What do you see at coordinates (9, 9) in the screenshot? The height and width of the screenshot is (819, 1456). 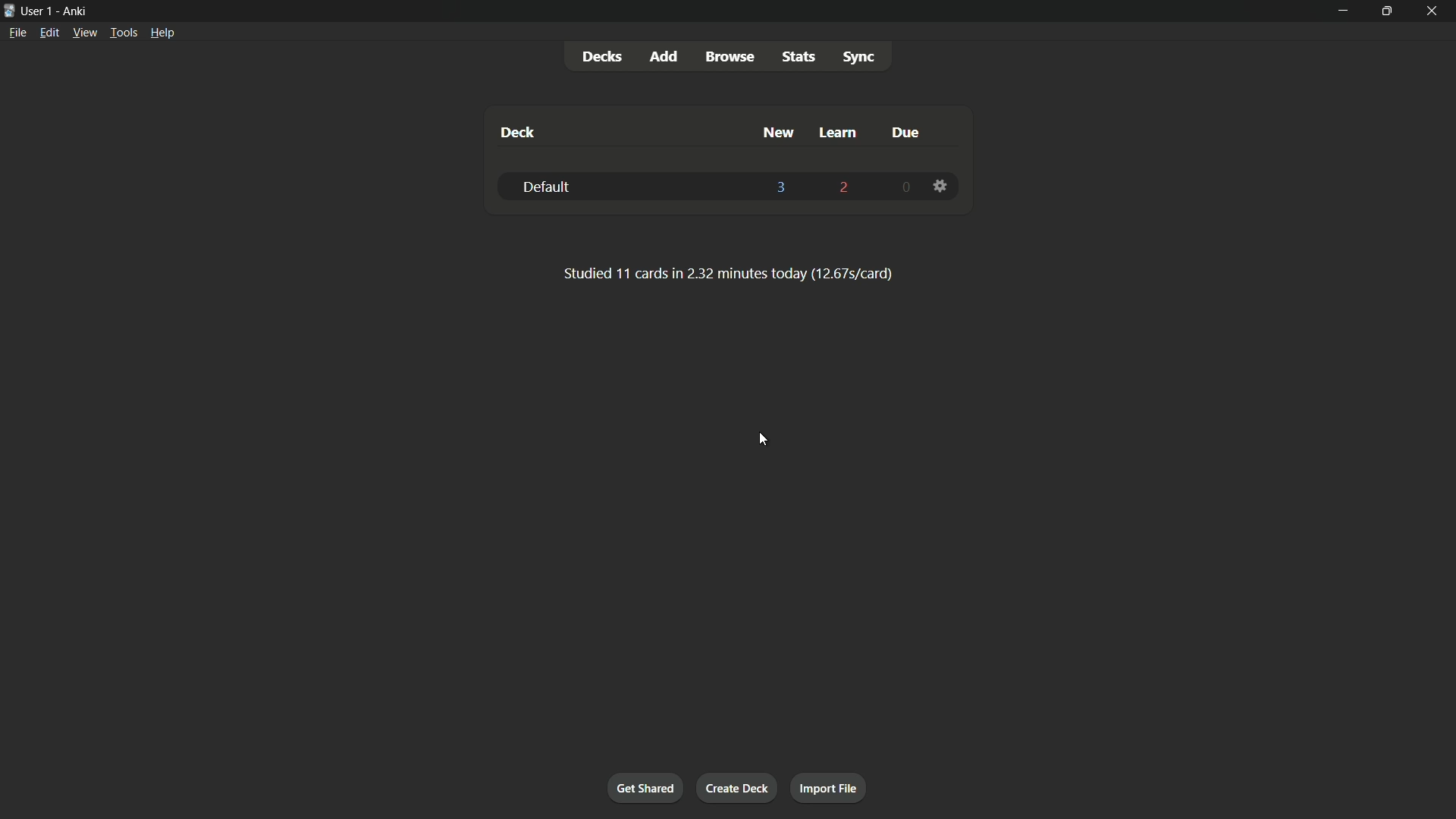 I see `app icon` at bounding box center [9, 9].